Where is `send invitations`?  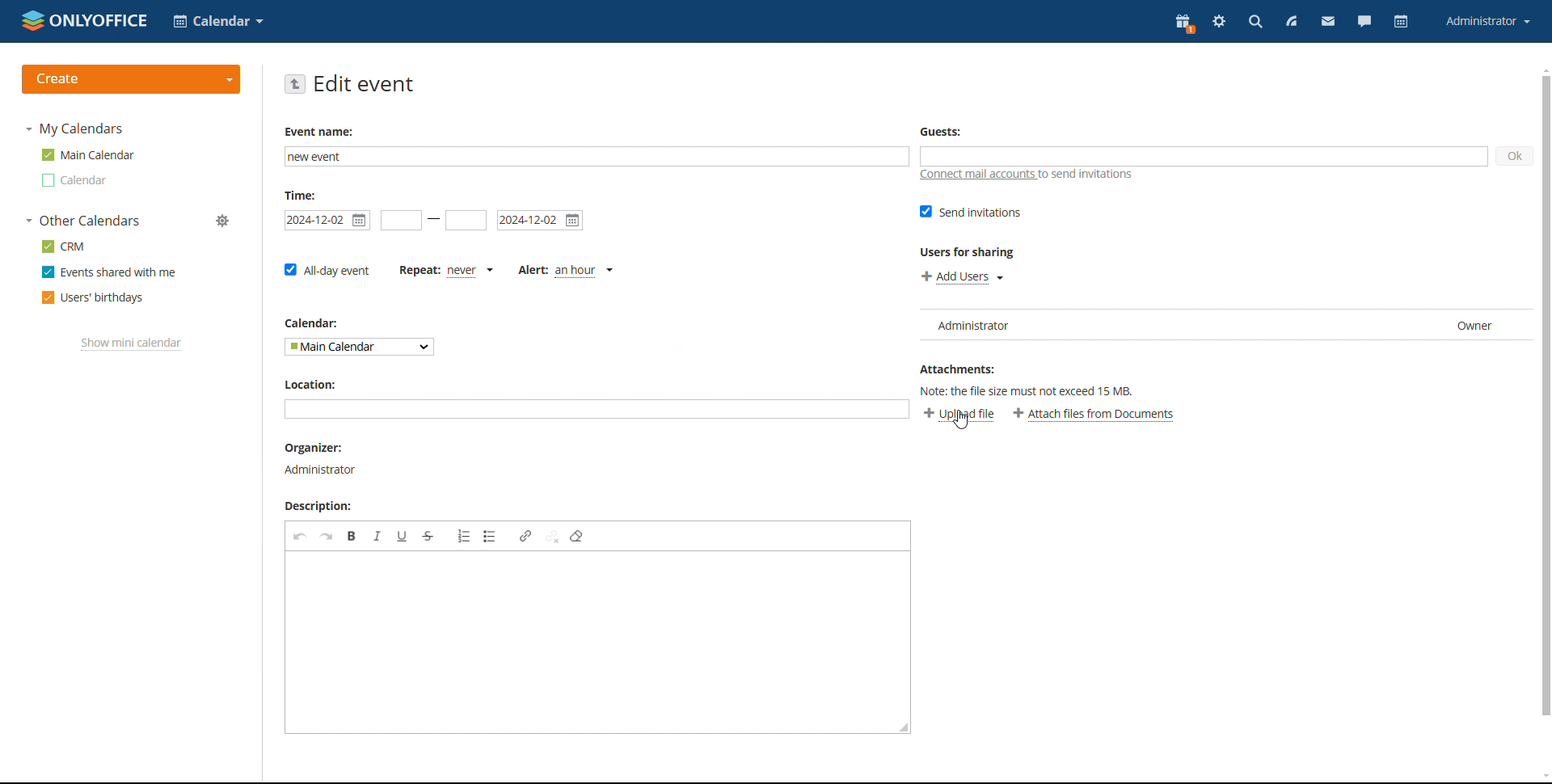
send invitations is located at coordinates (969, 213).